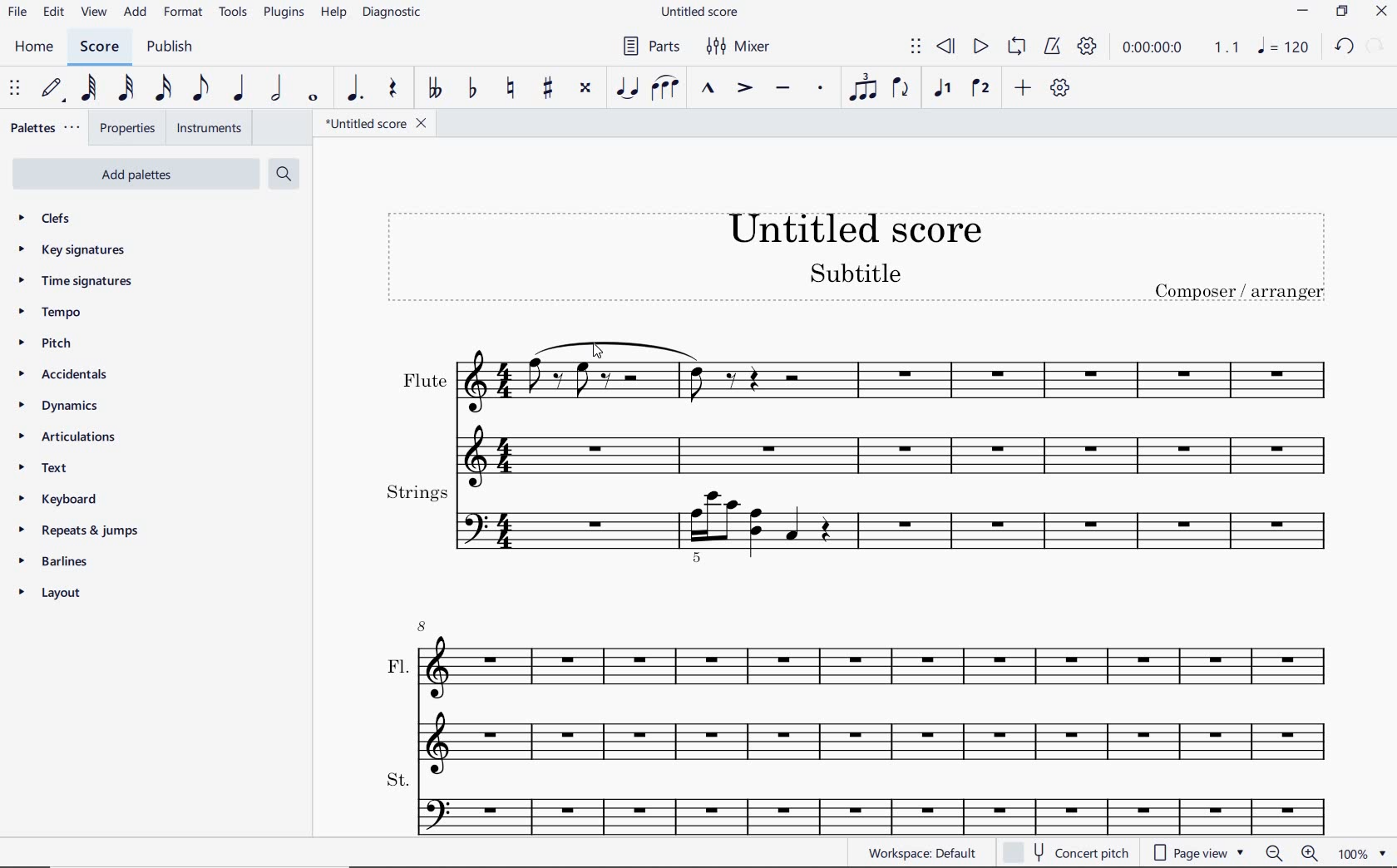 The image size is (1397, 868). I want to click on format, so click(181, 13).